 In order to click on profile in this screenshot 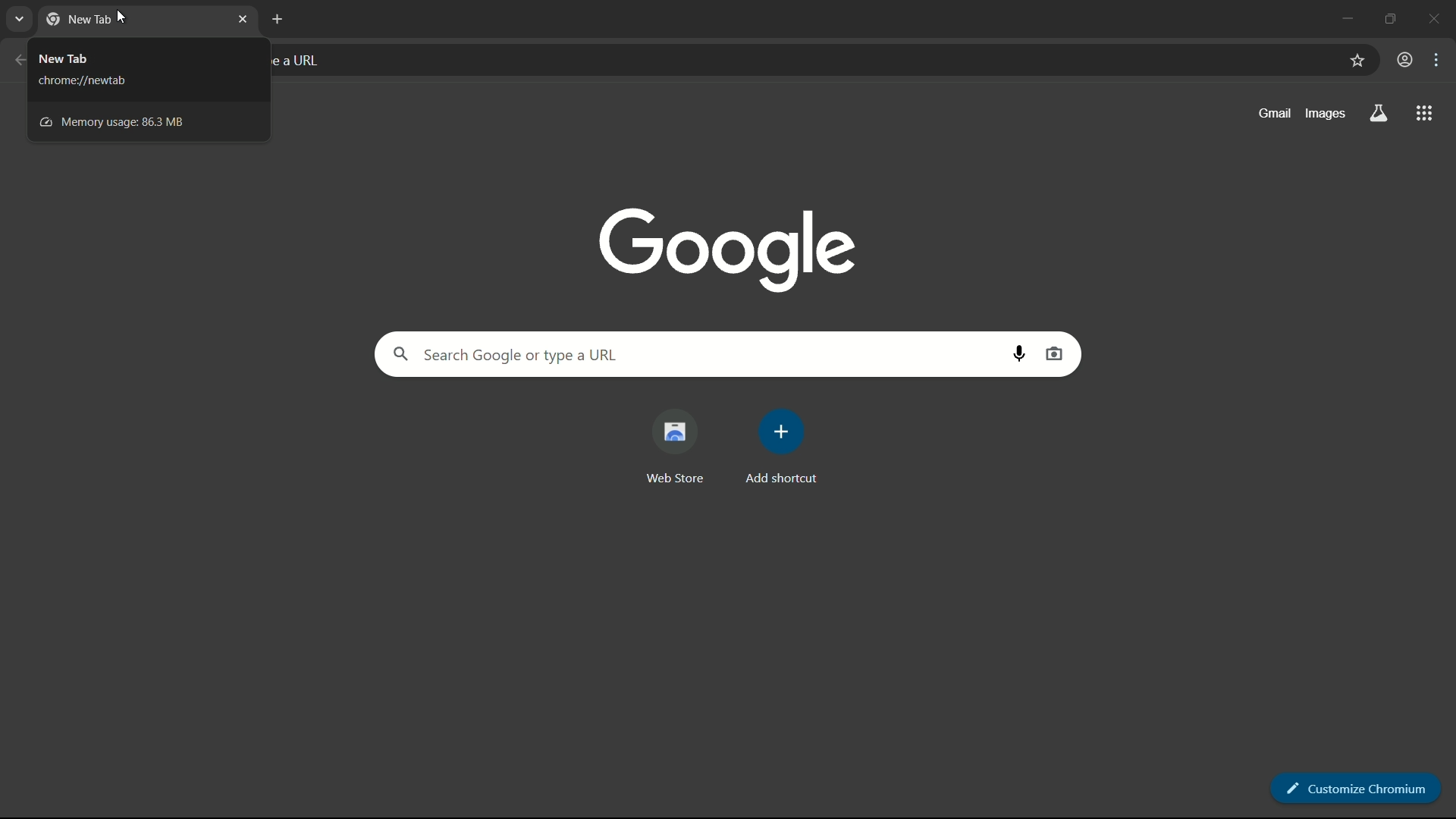, I will do `click(1405, 60)`.